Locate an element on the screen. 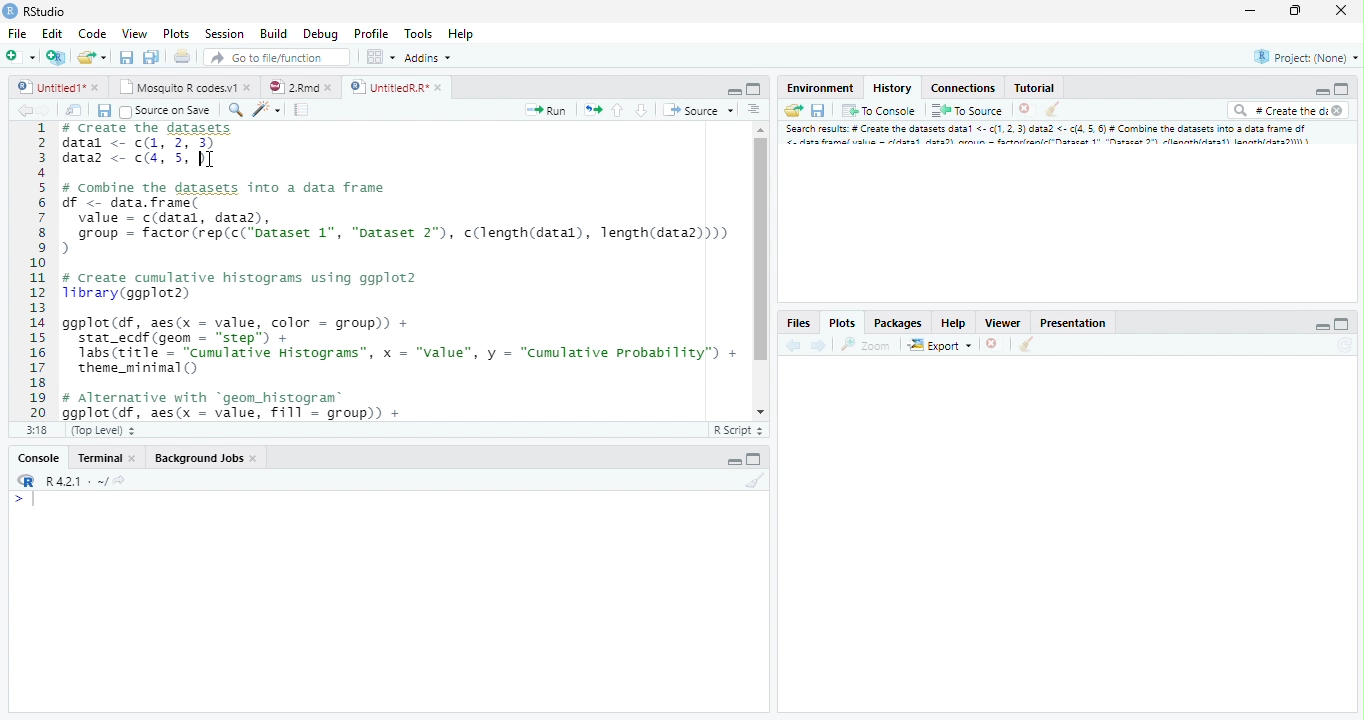 This screenshot has width=1364, height=720. Save is located at coordinates (104, 111).